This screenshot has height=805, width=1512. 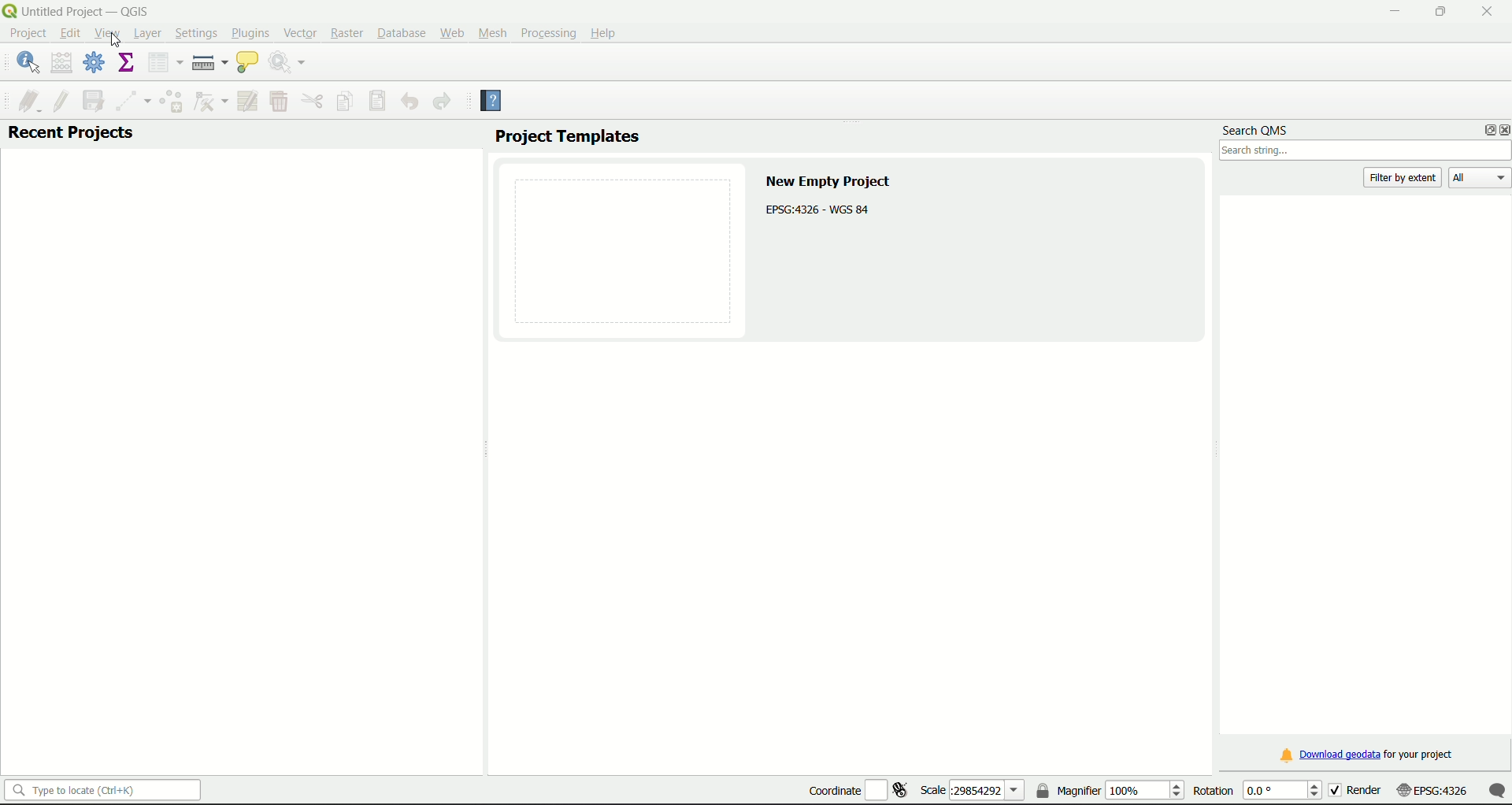 I want to click on scale, so click(x=972, y=791).